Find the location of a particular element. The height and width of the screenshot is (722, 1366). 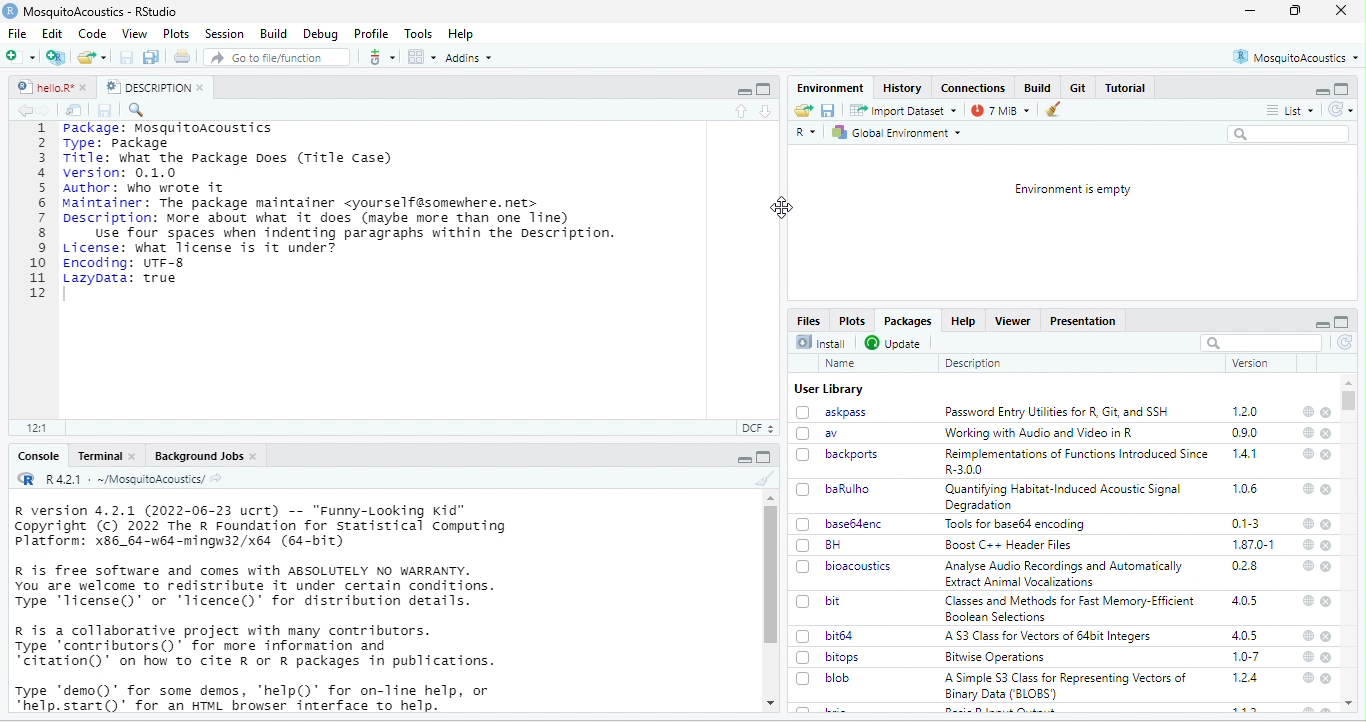

Global Environment is located at coordinates (901, 132).